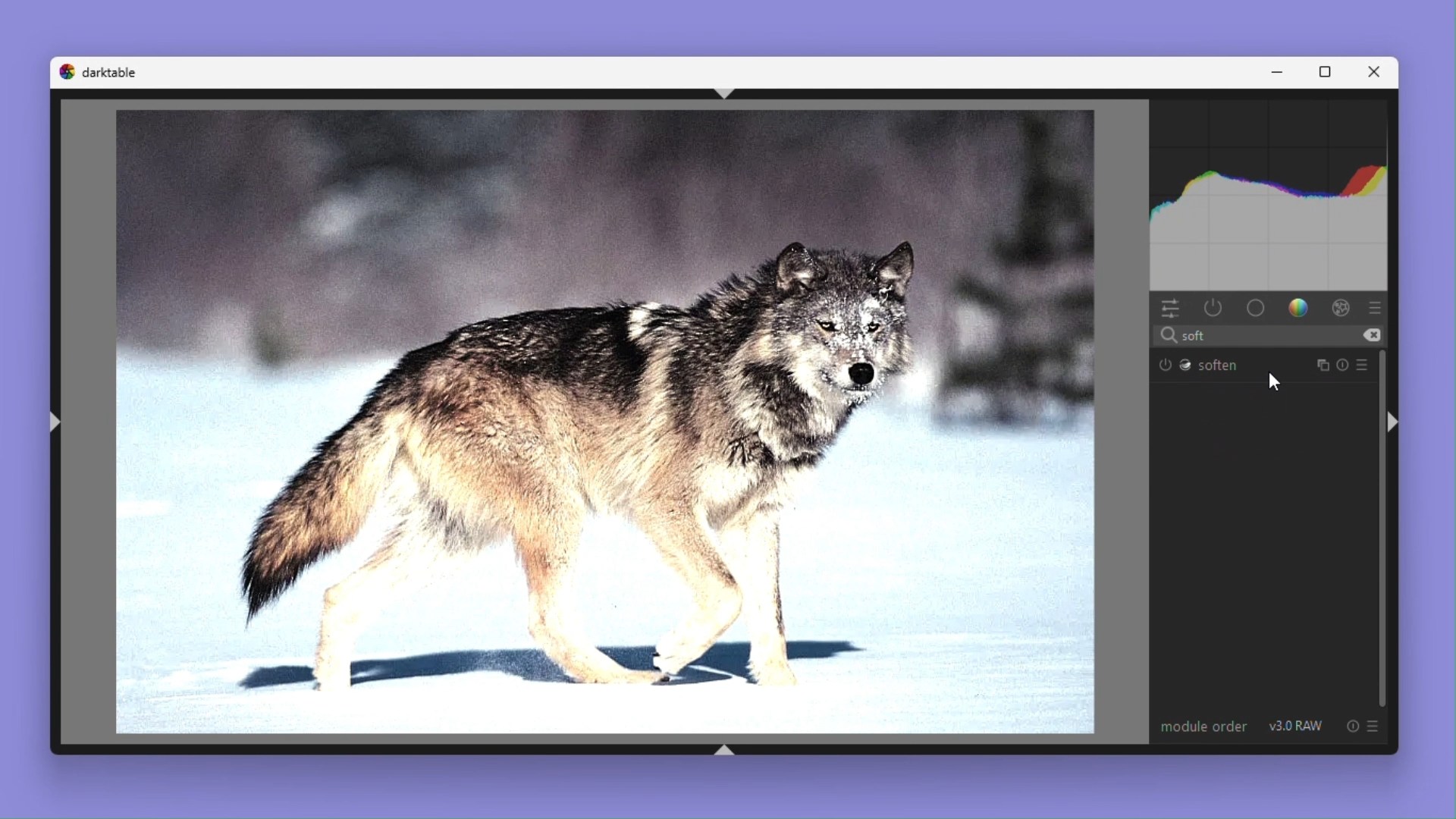 This screenshot has width=1456, height=819. I want to click on shift+ctrl+t, so click(734, 94).